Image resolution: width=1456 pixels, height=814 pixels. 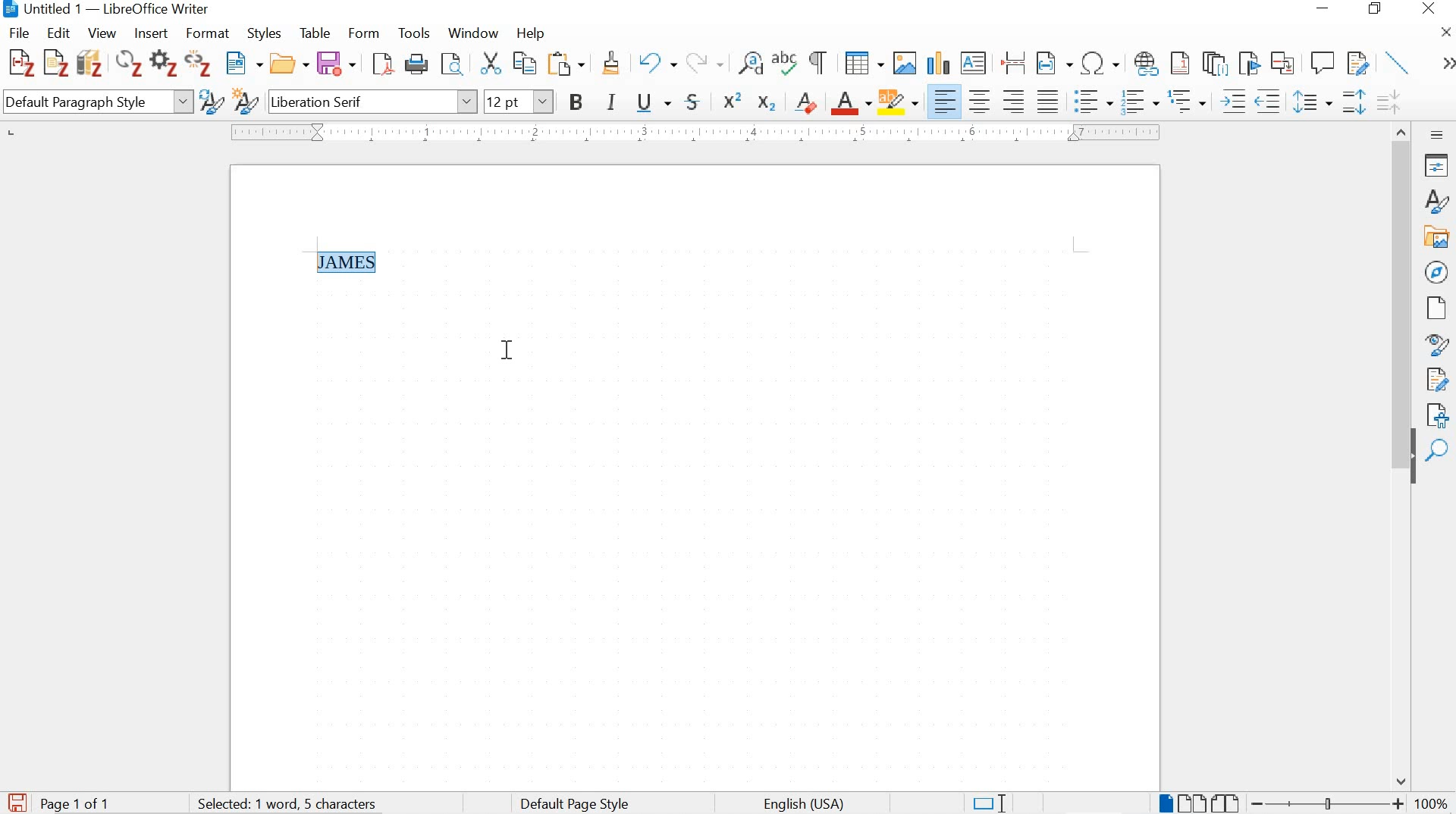 What do you see at coordinates (17, 800) in the screenshot?
I see `save` at bounding box center [17, 800].